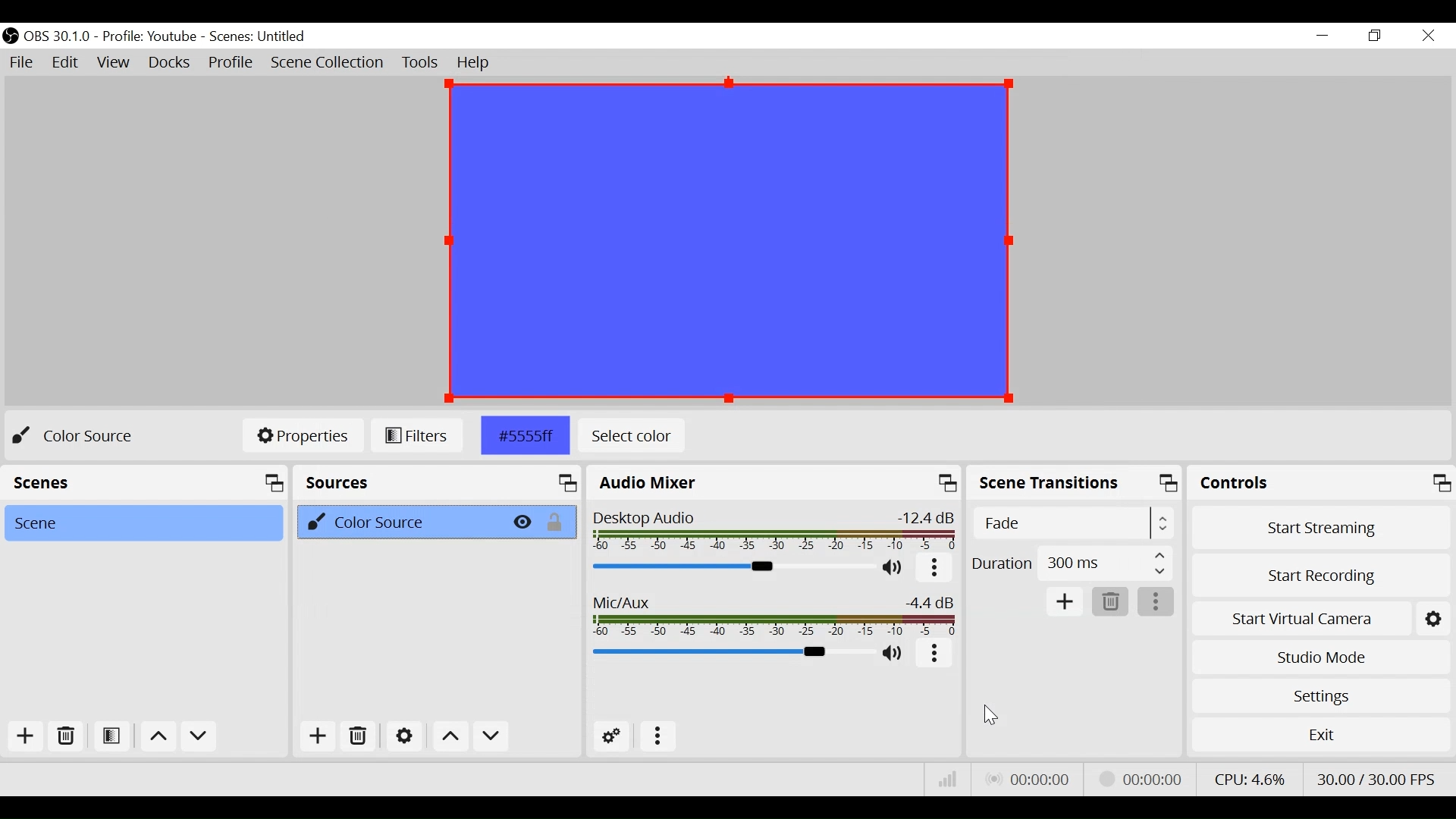 Image resolution: width=1456 pixels, height=819 pixels. Describe the element at coordinates (124, 434) in the screenshot. I see `Color Source` at that location.